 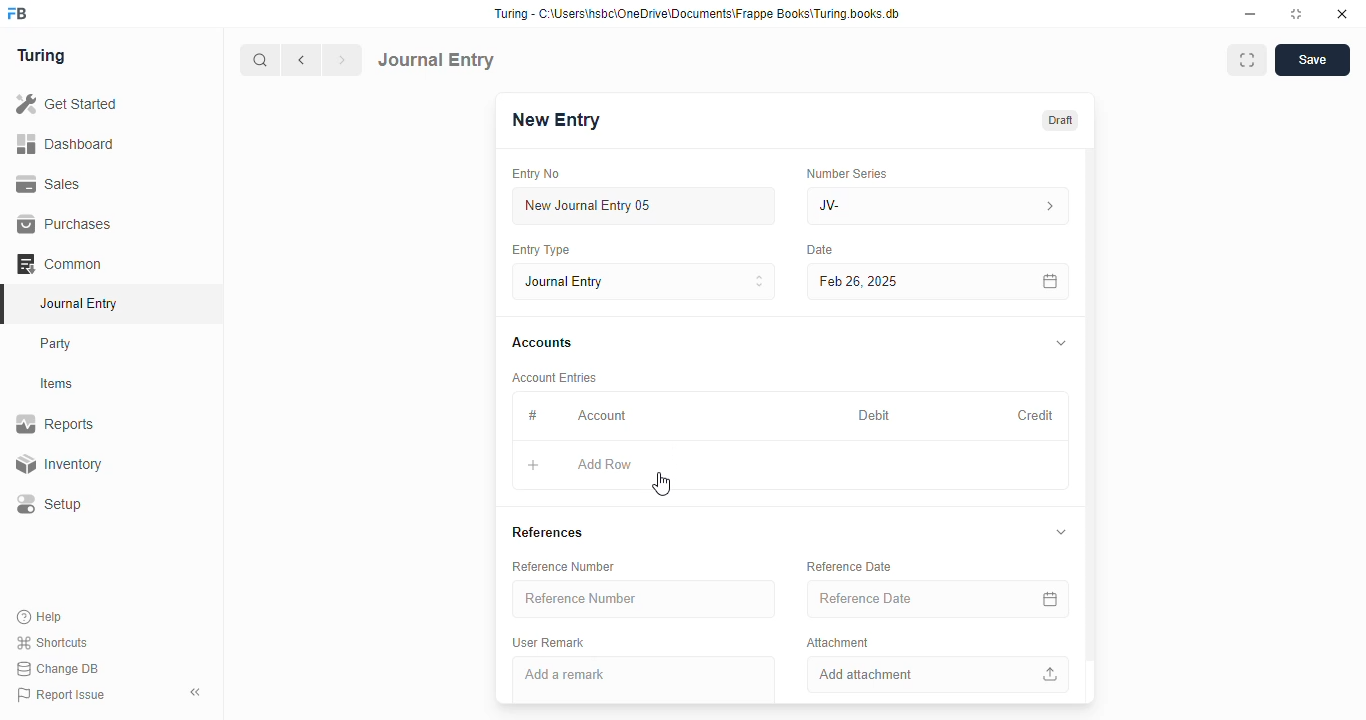 I want to click on FB - logo, so click(x=17, y=13).